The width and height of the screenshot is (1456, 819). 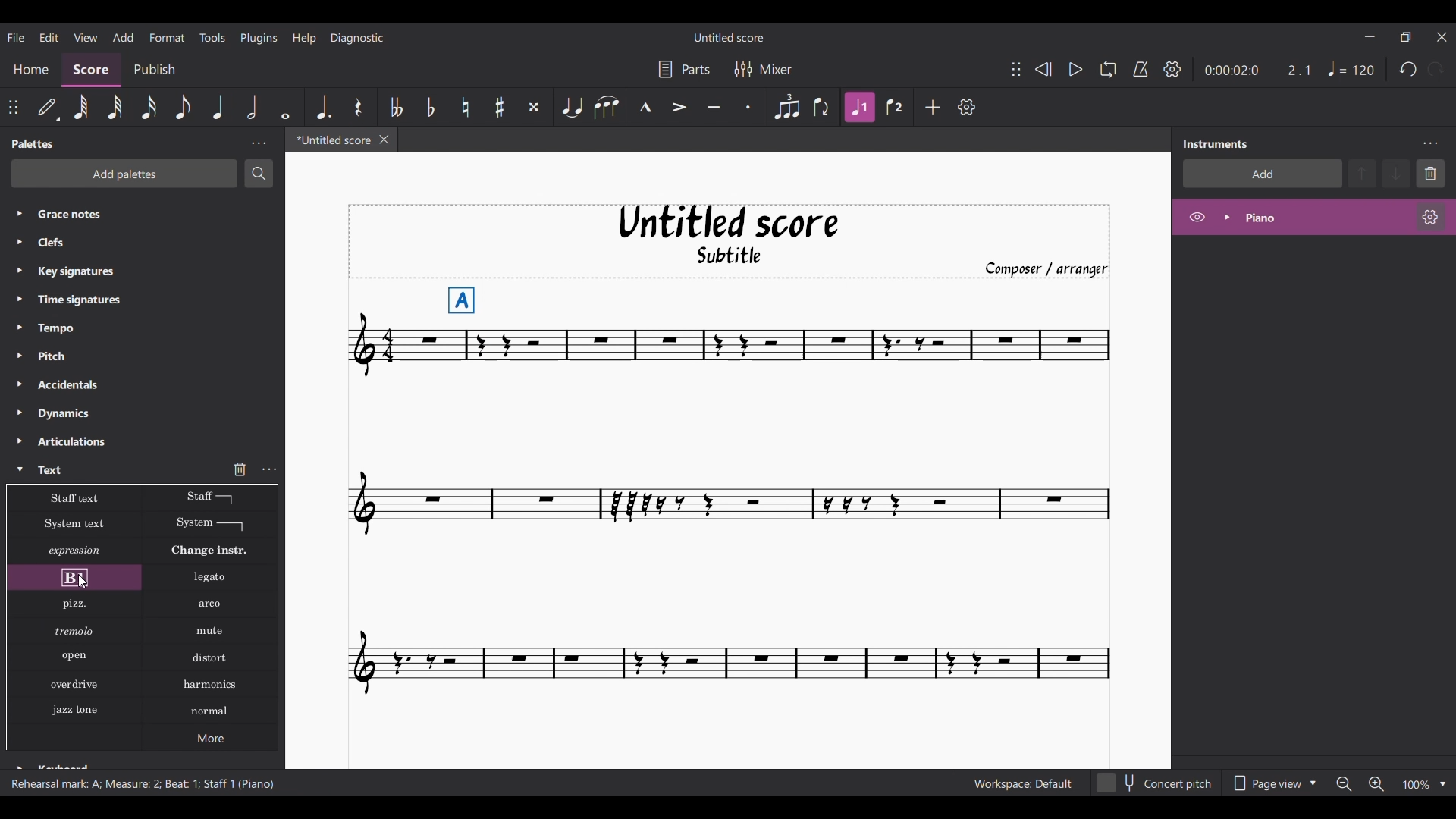 I want to click on Minimize, so click(x=1370, y=36).